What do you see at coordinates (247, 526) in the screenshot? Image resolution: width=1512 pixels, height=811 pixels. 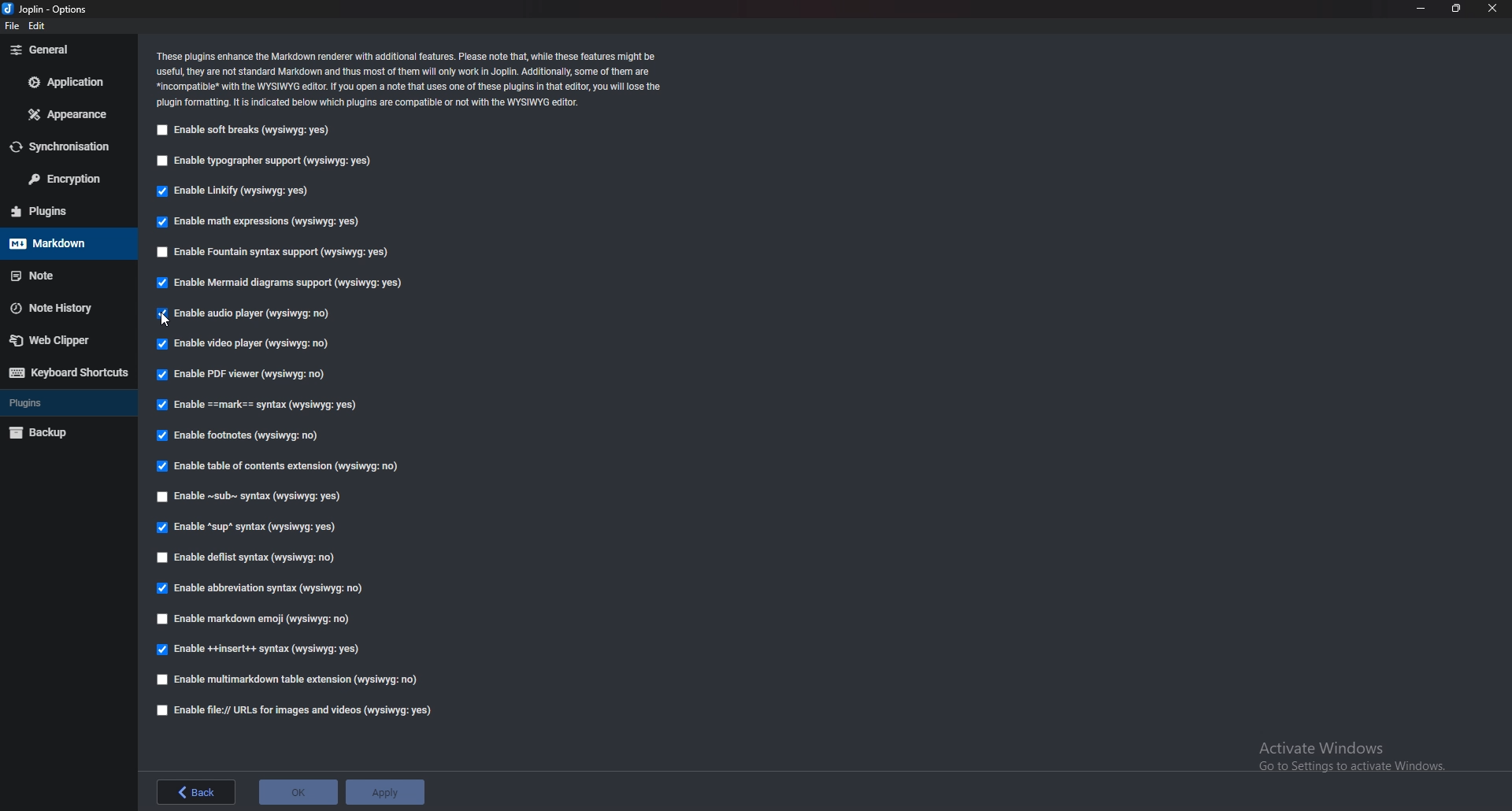 I see `enable sup syntax` at bounding box center [247, 526].